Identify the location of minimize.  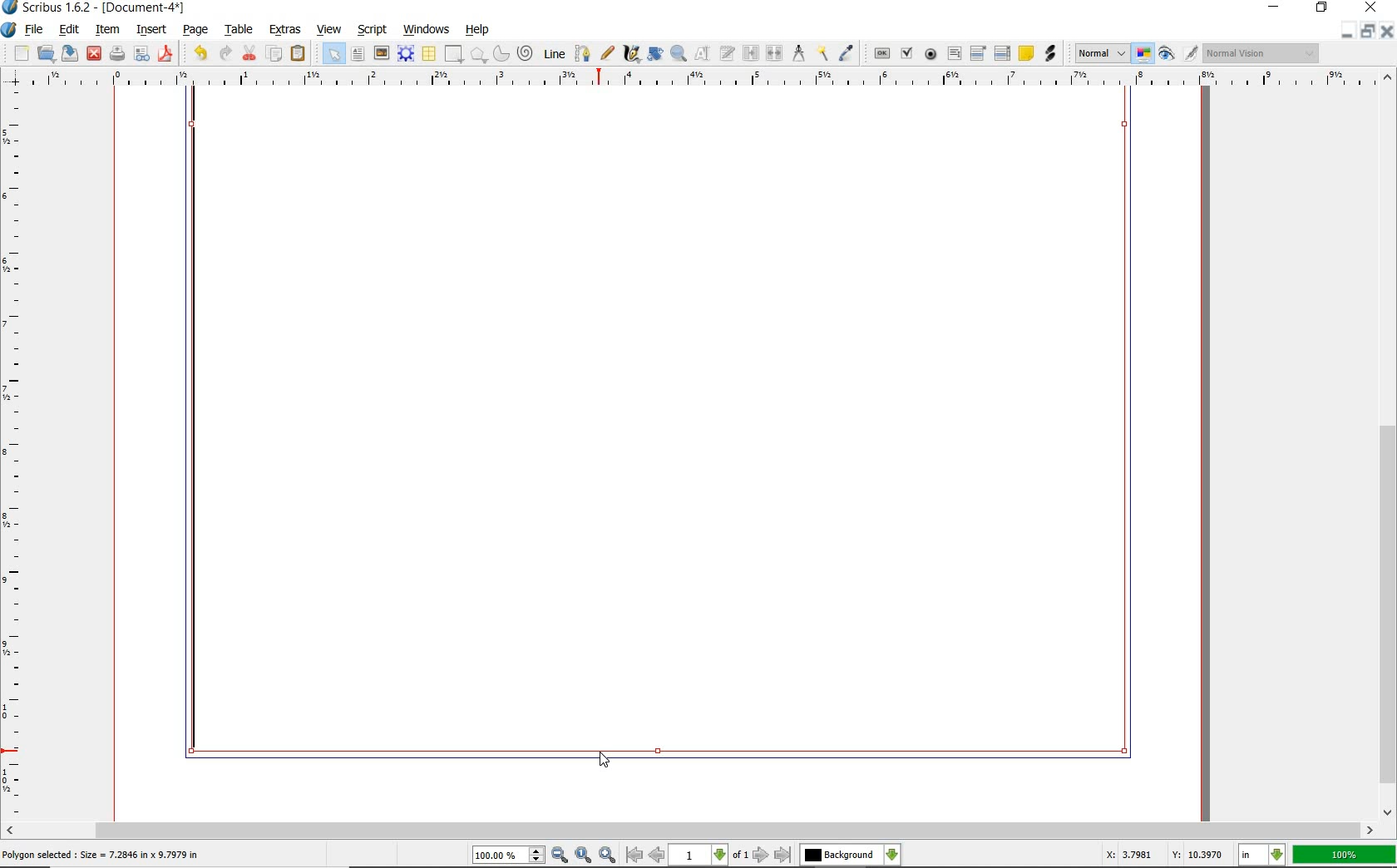
(1350, 32).